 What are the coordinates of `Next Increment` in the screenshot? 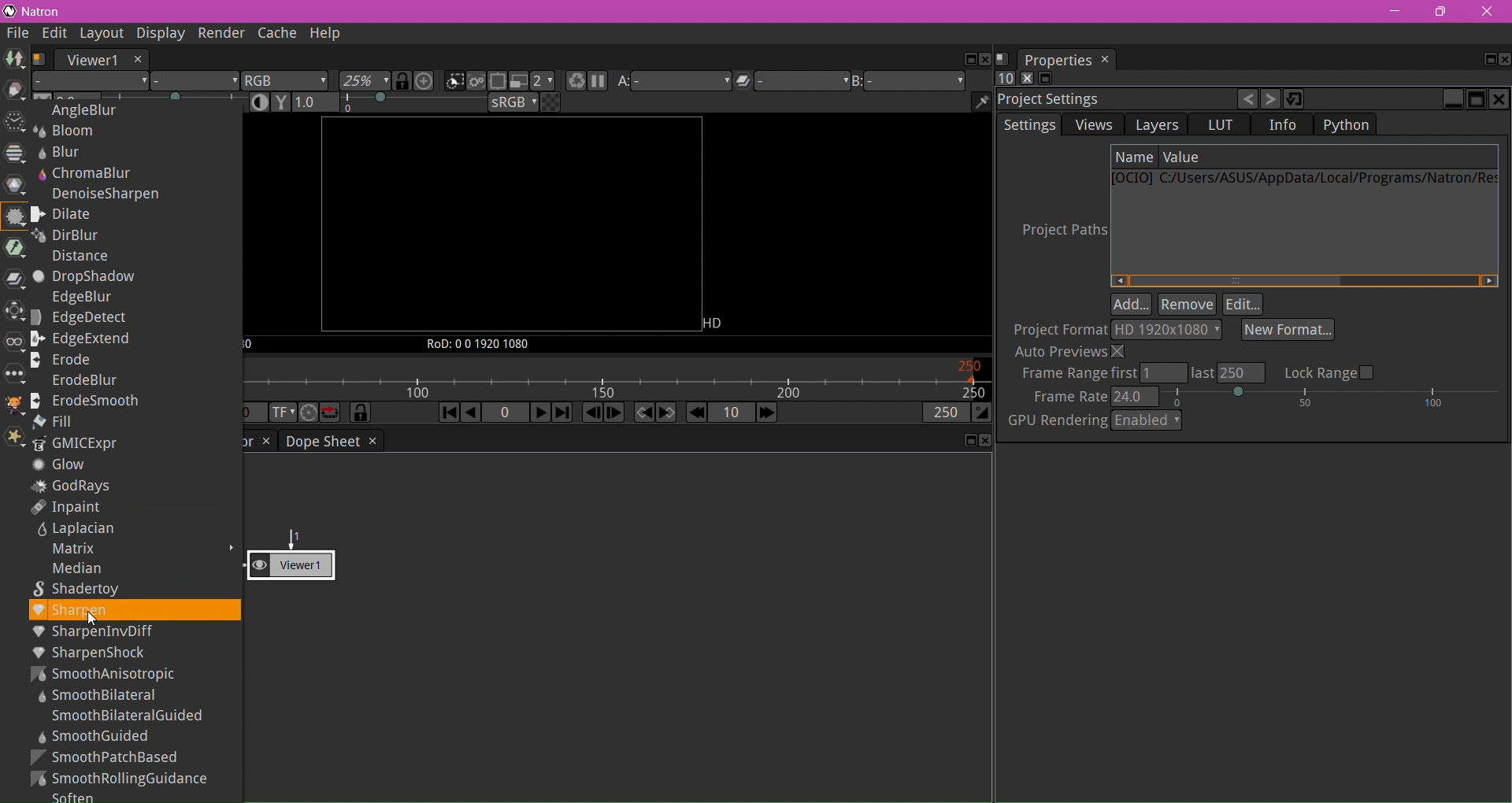 It's located at (766, 414).